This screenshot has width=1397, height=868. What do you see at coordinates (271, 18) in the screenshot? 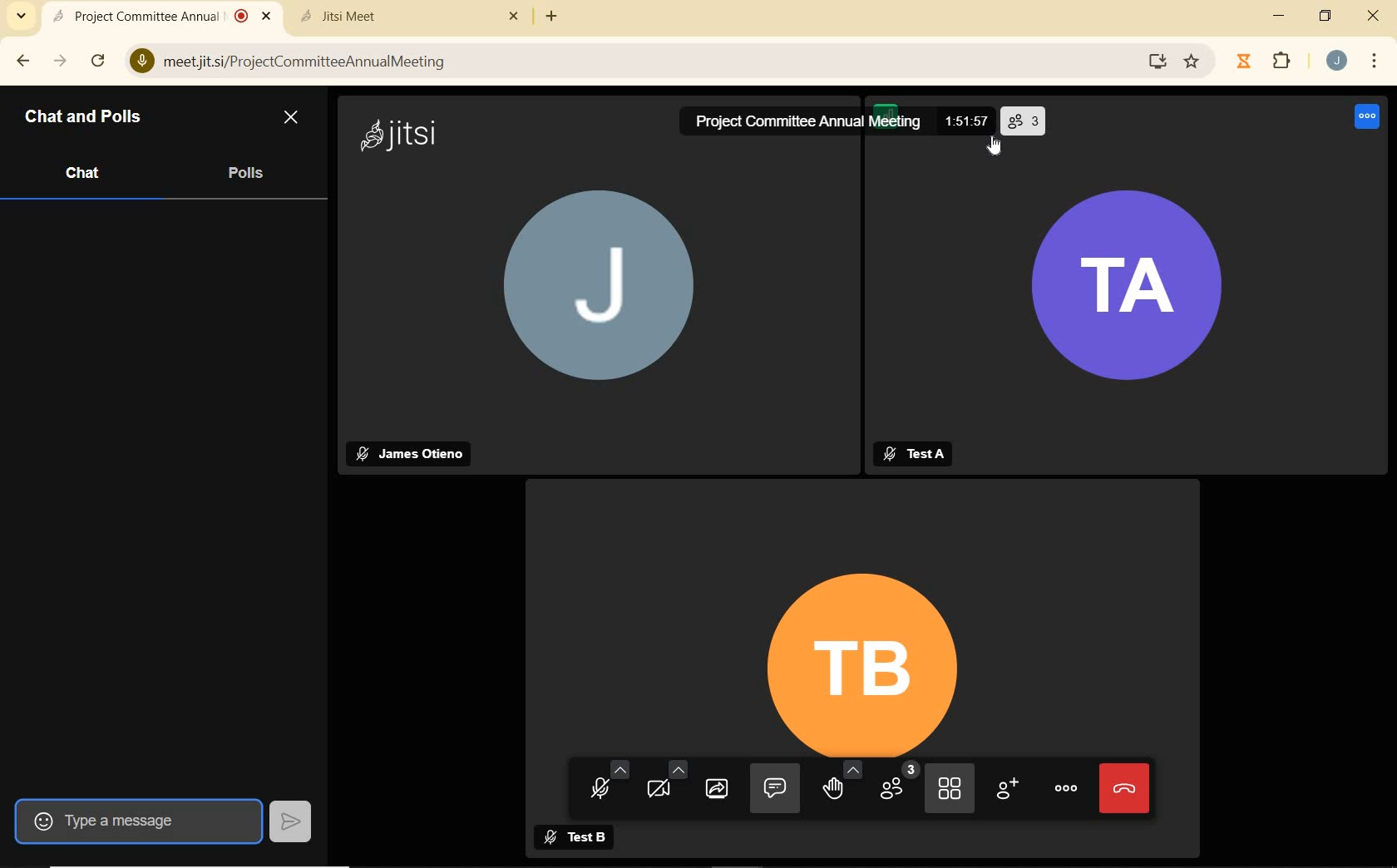
I see `close` at bounding box center [271, 18].